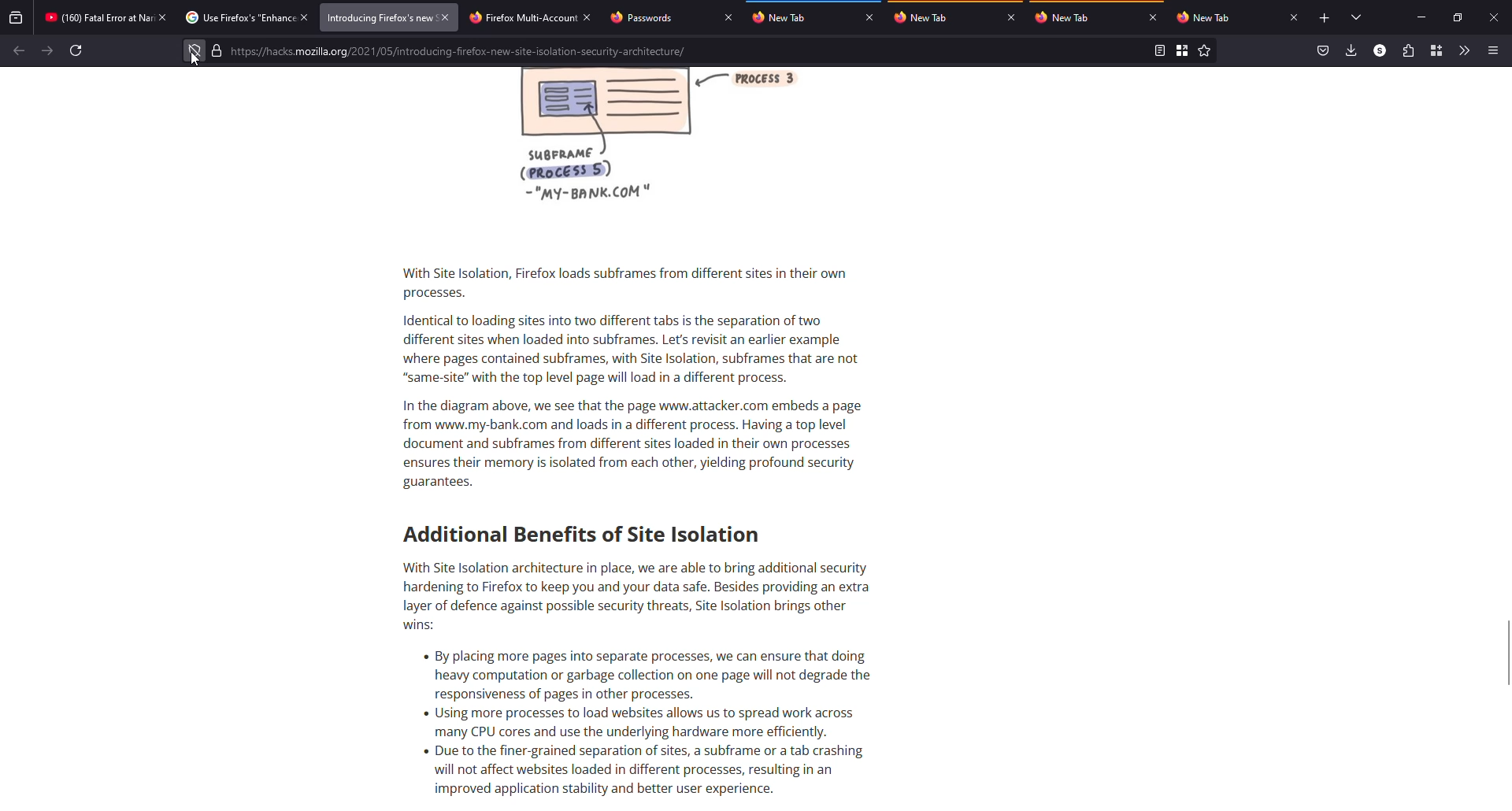  I want to click on tab, so click(379, 17).